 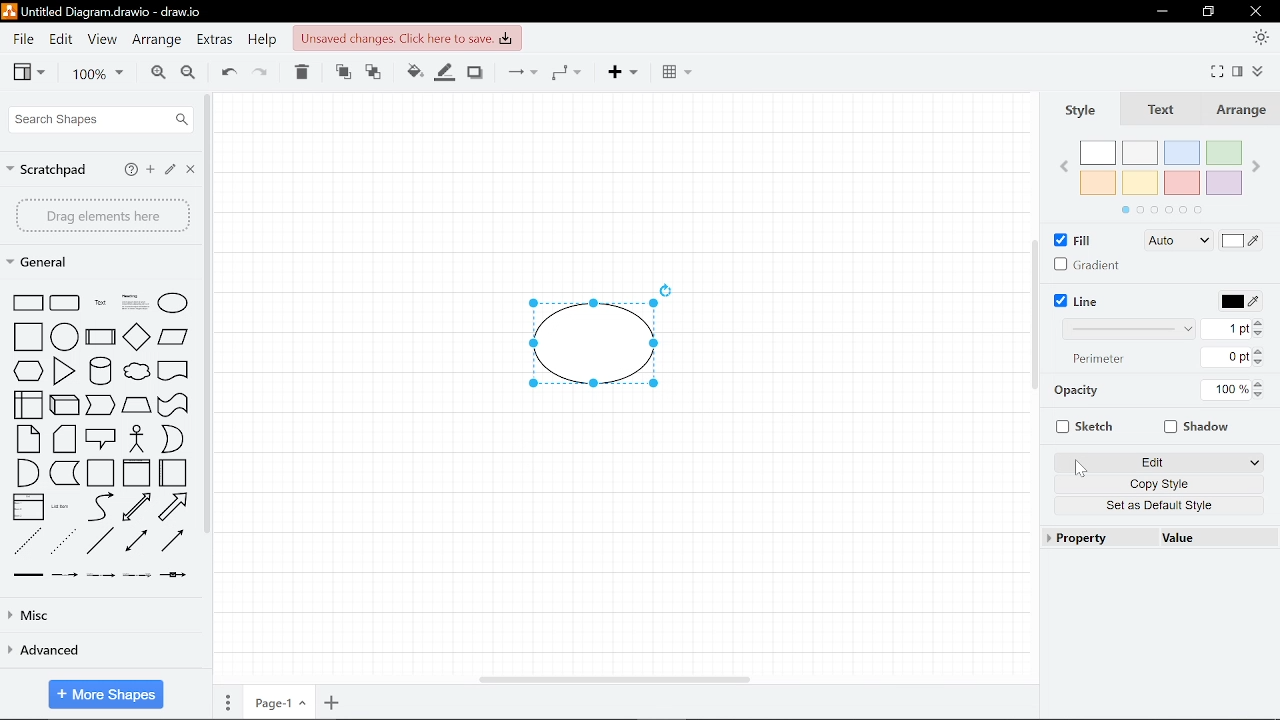 I want to click on Extras, so click(x=215, y=41).